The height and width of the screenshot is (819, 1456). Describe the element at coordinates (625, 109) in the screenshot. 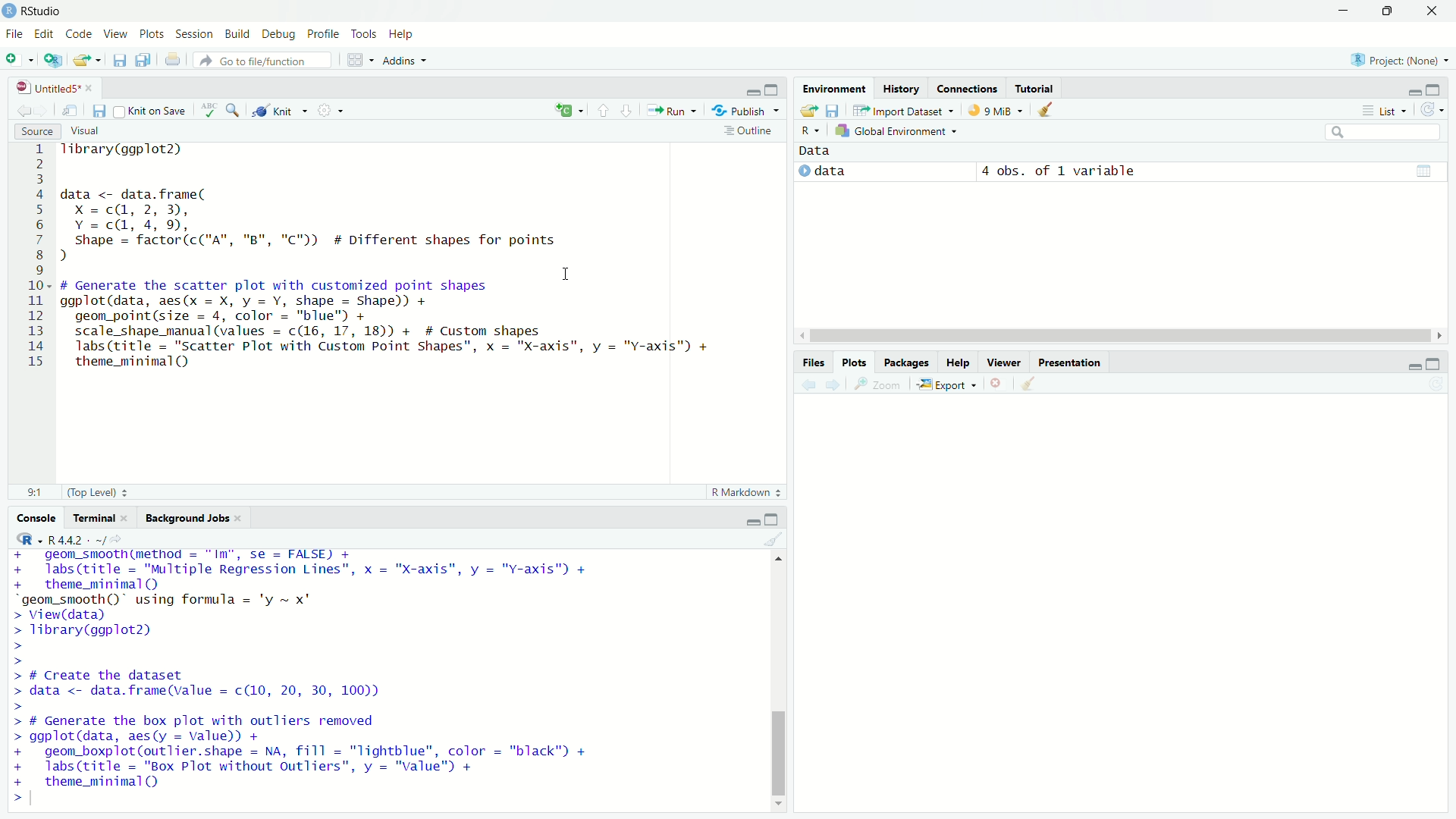

I see `Go to next section/chunk` at that location.